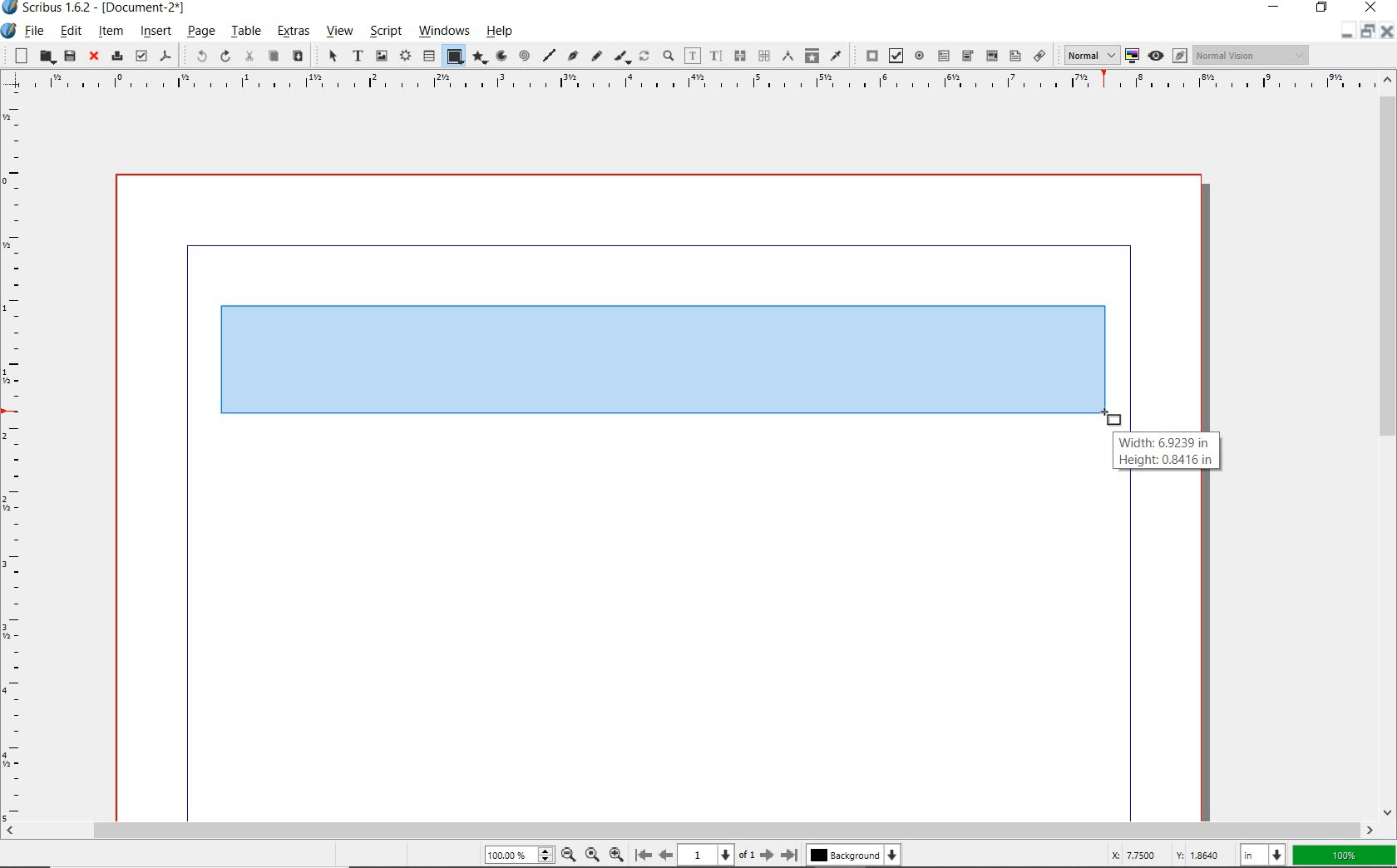 This screenshot has width=1397, height=868. Describe the element at coordinates (1389, 32) in the screenshot. I see `close` at that location.